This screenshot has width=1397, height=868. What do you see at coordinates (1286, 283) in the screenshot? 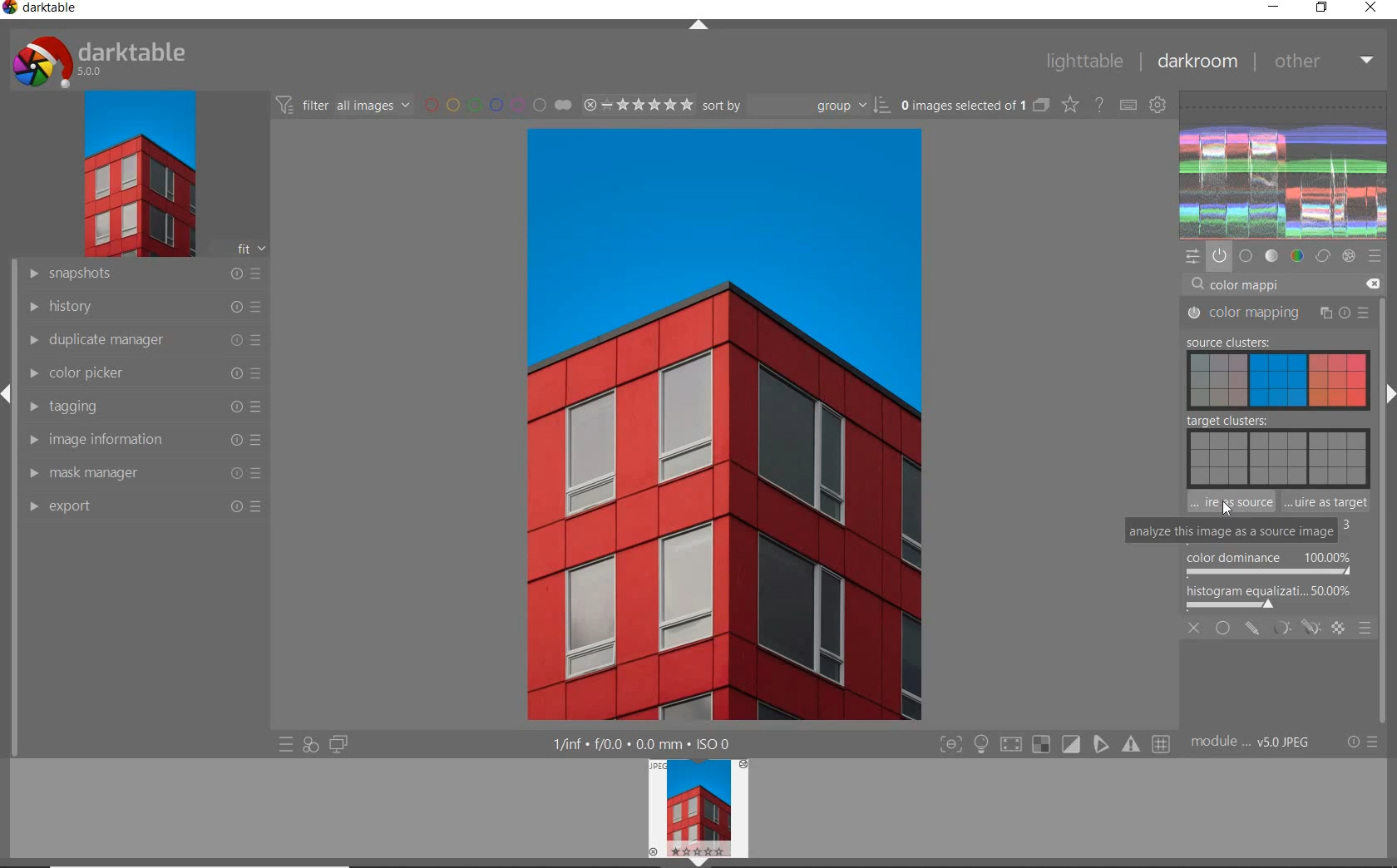
I see `search module` at bounding box center [1286, 283].